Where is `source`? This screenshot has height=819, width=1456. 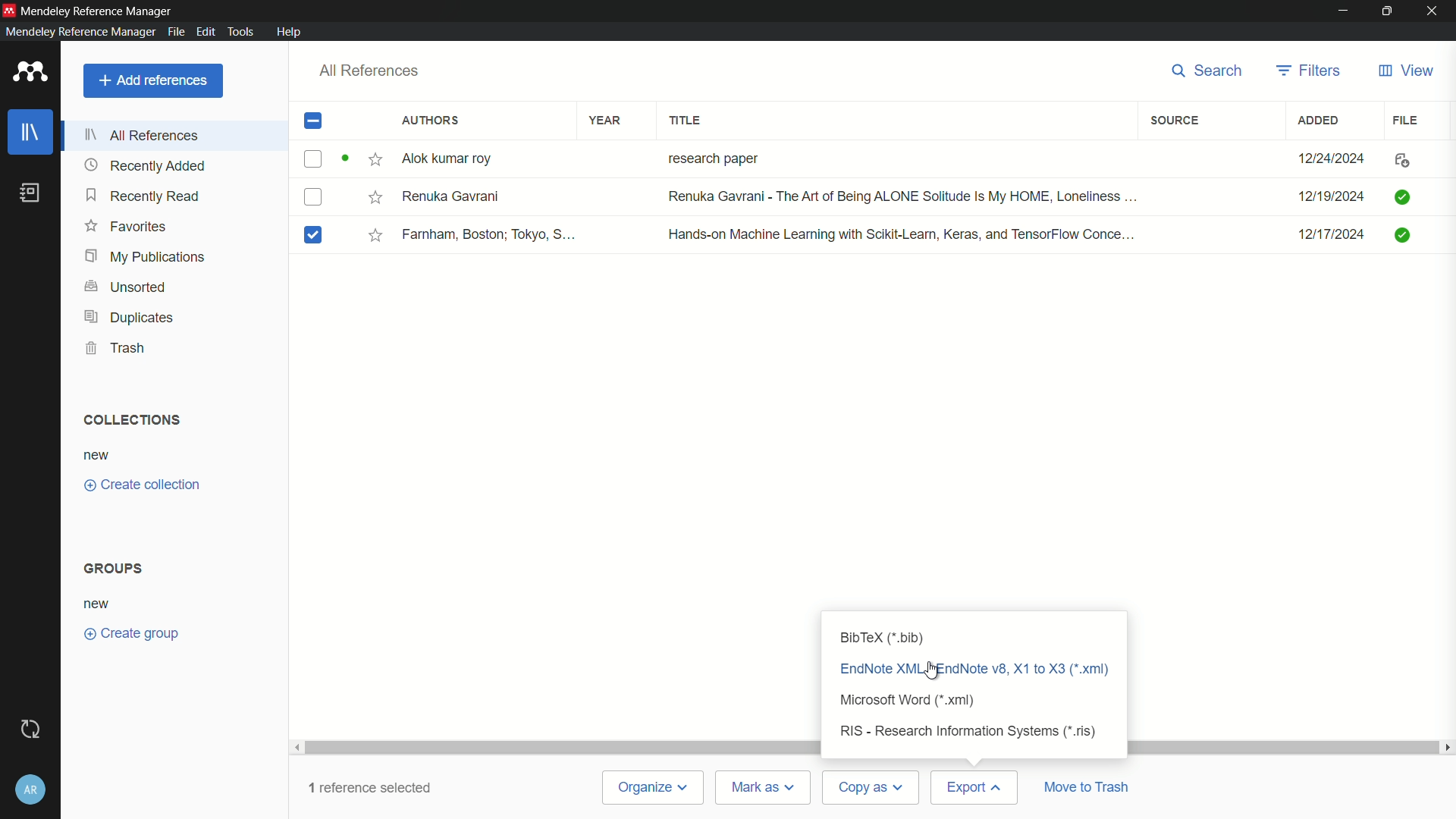 source is located at coordinates (1177, 121).